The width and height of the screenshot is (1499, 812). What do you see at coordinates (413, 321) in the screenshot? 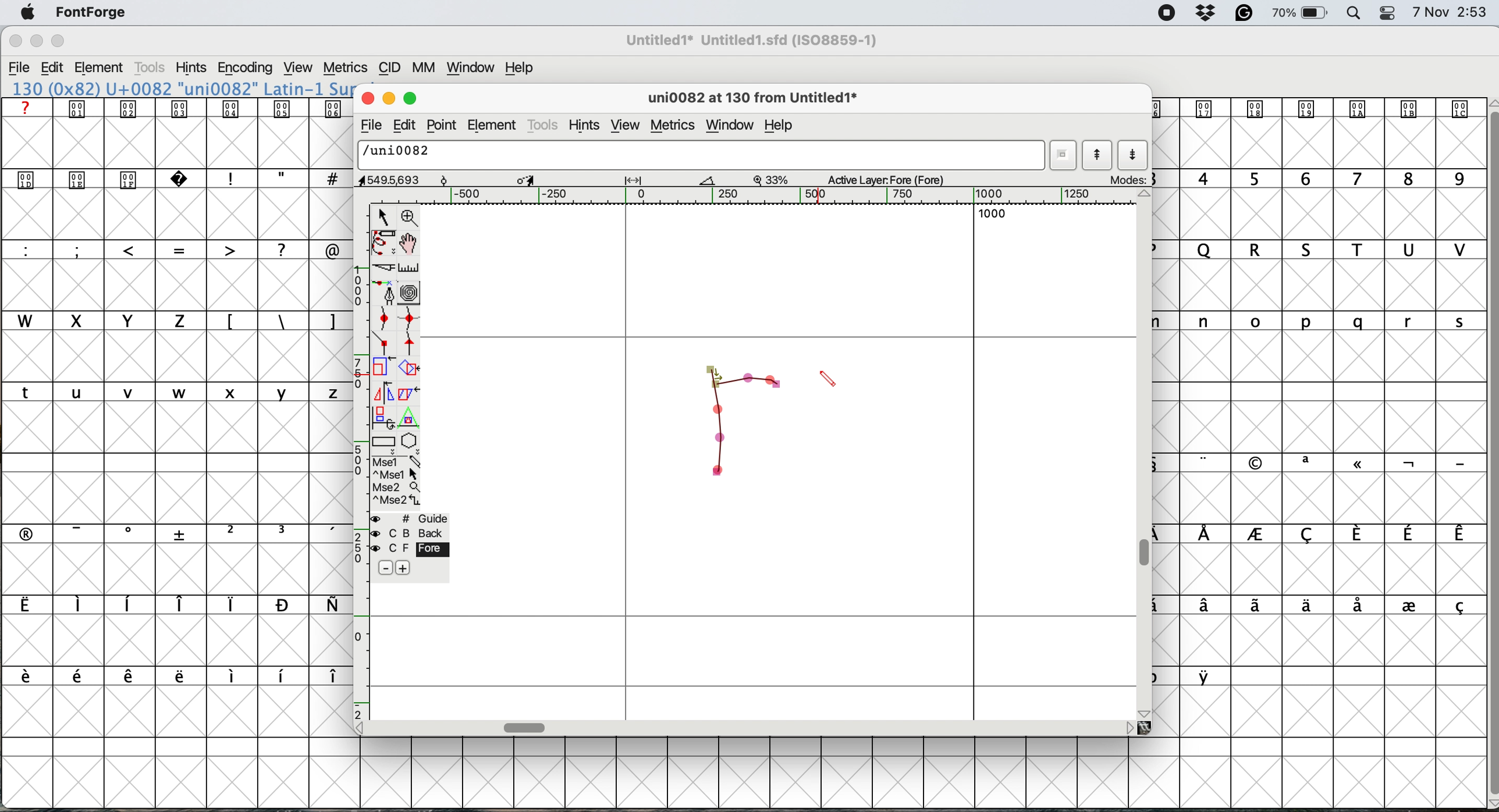
I see `add a curve point horizontally or vertically` at bounding box center [413, 321].